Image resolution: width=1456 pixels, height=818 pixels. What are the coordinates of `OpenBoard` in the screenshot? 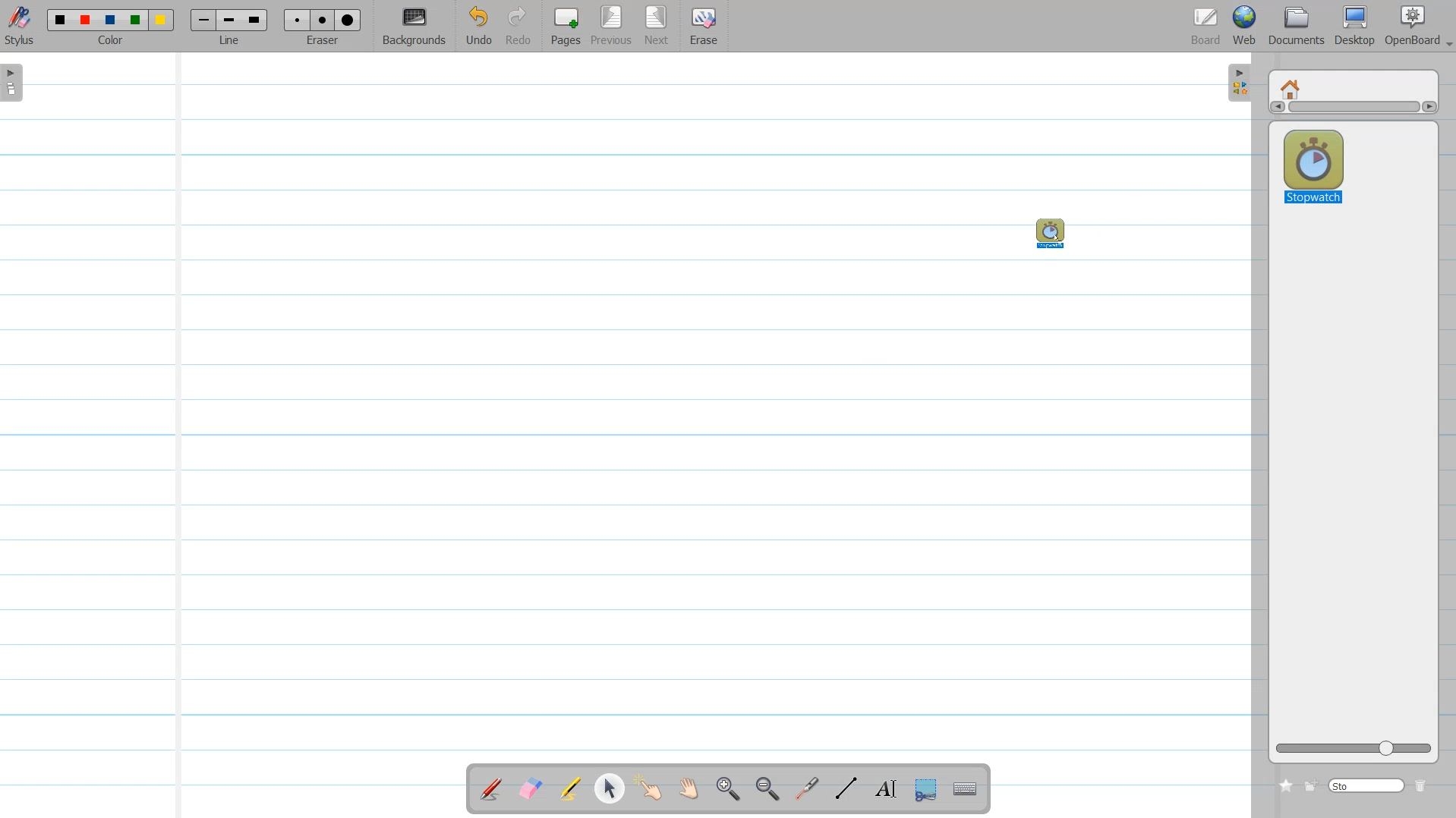 It's located at (1410, 26).